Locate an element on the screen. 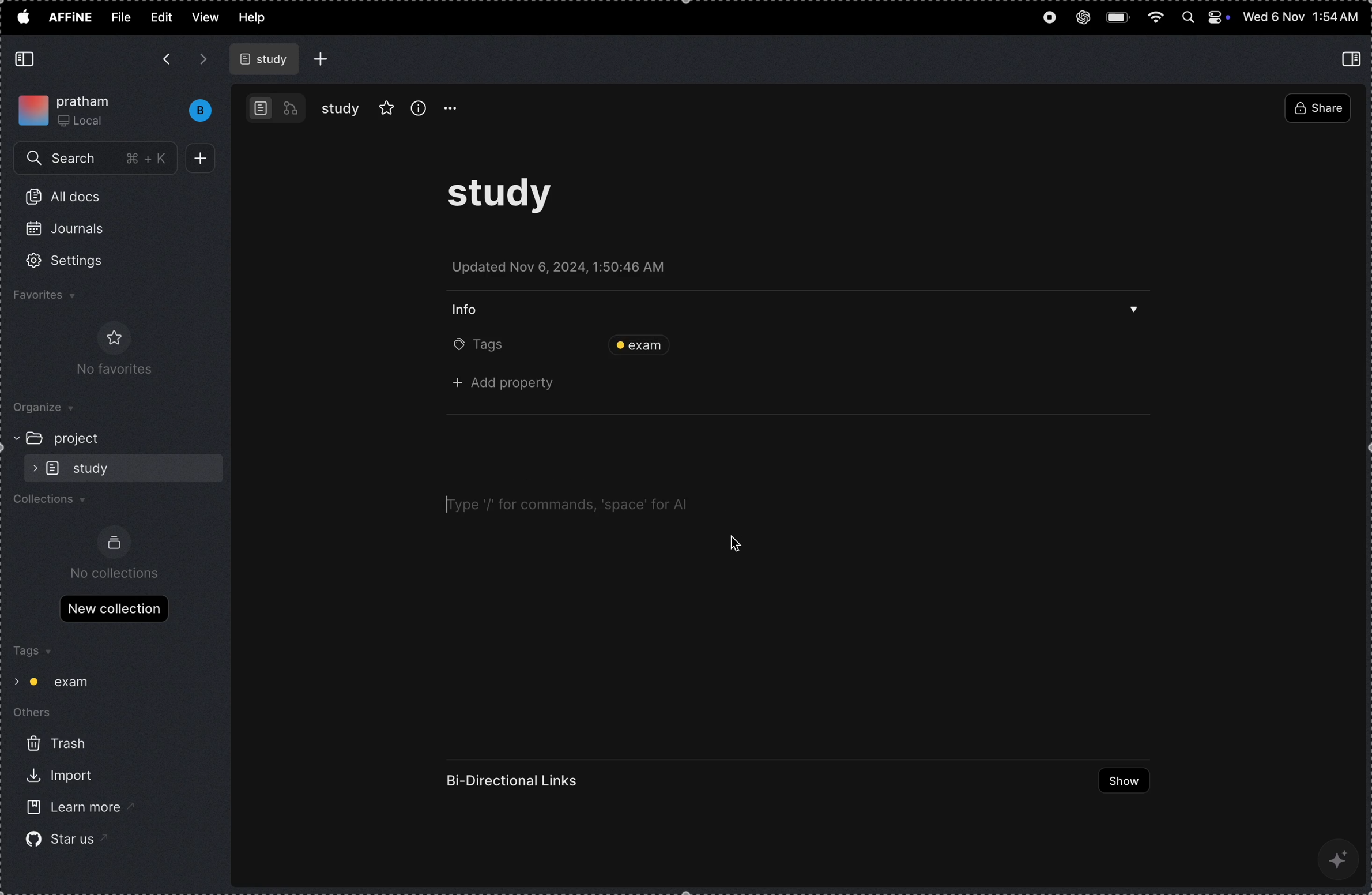 This screenshot has height=895, width=1372. apple menu is located at coordinates (22, 16).